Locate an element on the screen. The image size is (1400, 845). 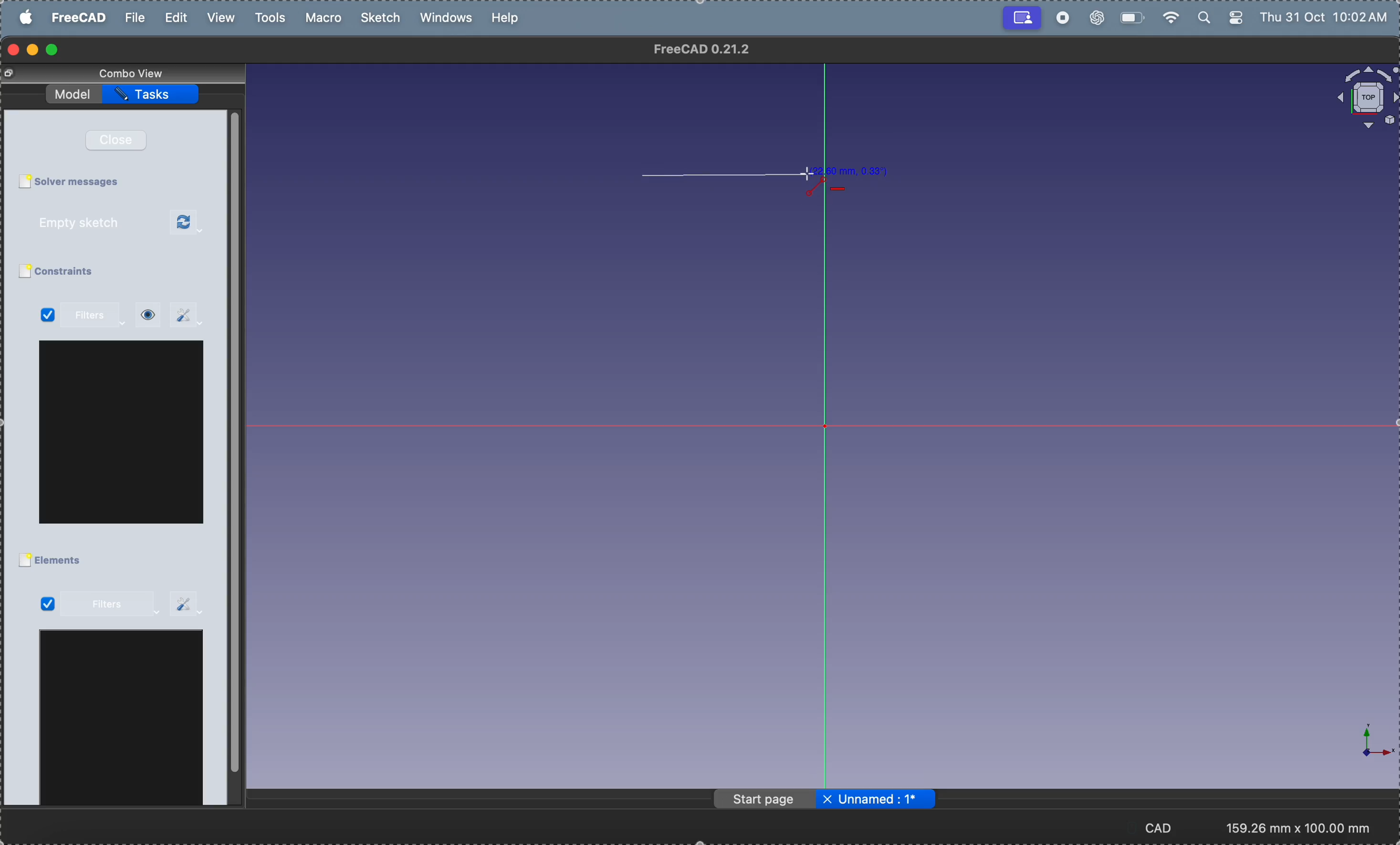
settings is located at coordinates (188, 603).